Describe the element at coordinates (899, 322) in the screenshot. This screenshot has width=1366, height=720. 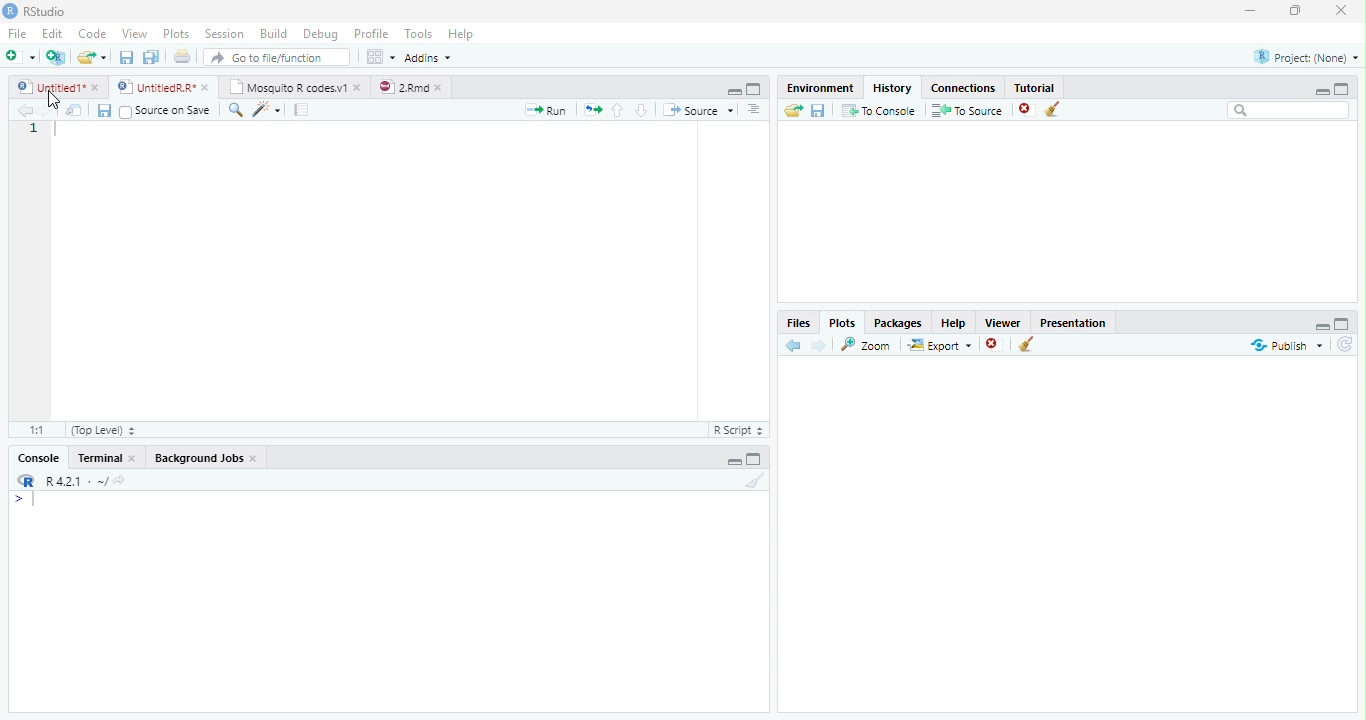
I see `Packages` at that location.